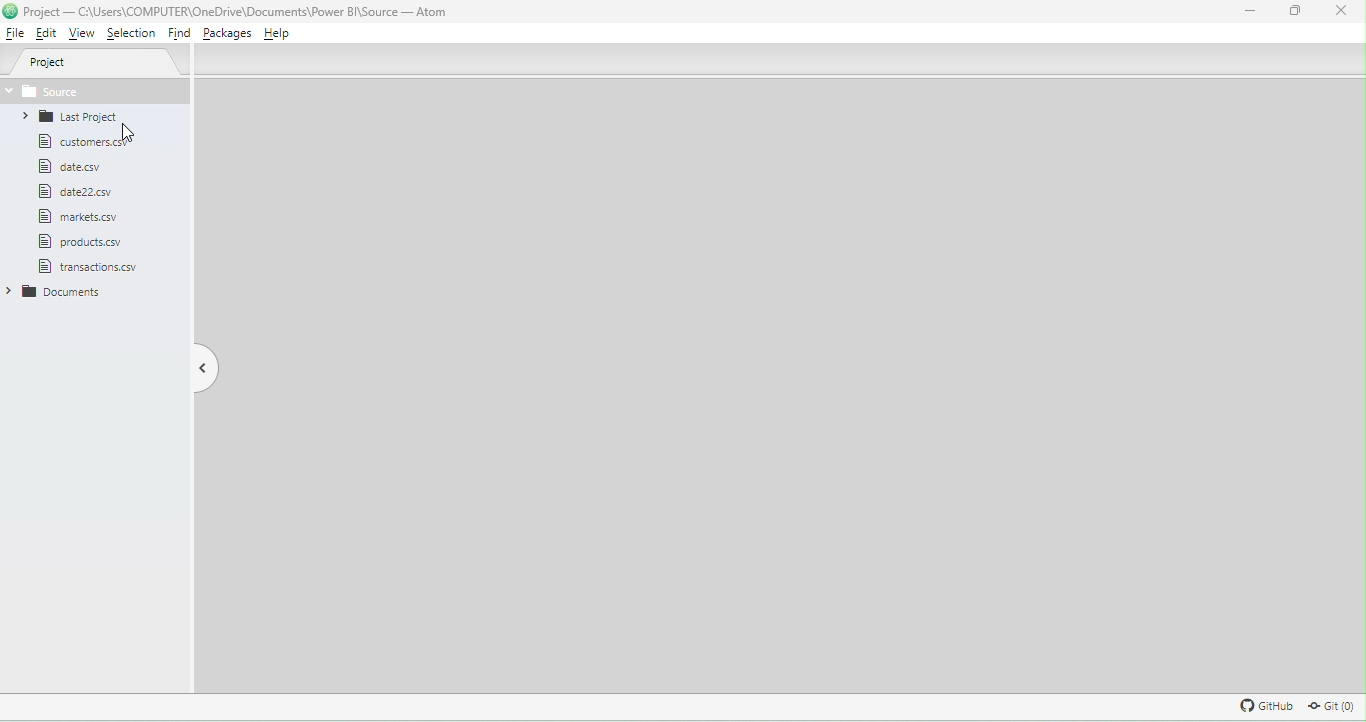  I want to click on GitHub, so click(1264, 705).